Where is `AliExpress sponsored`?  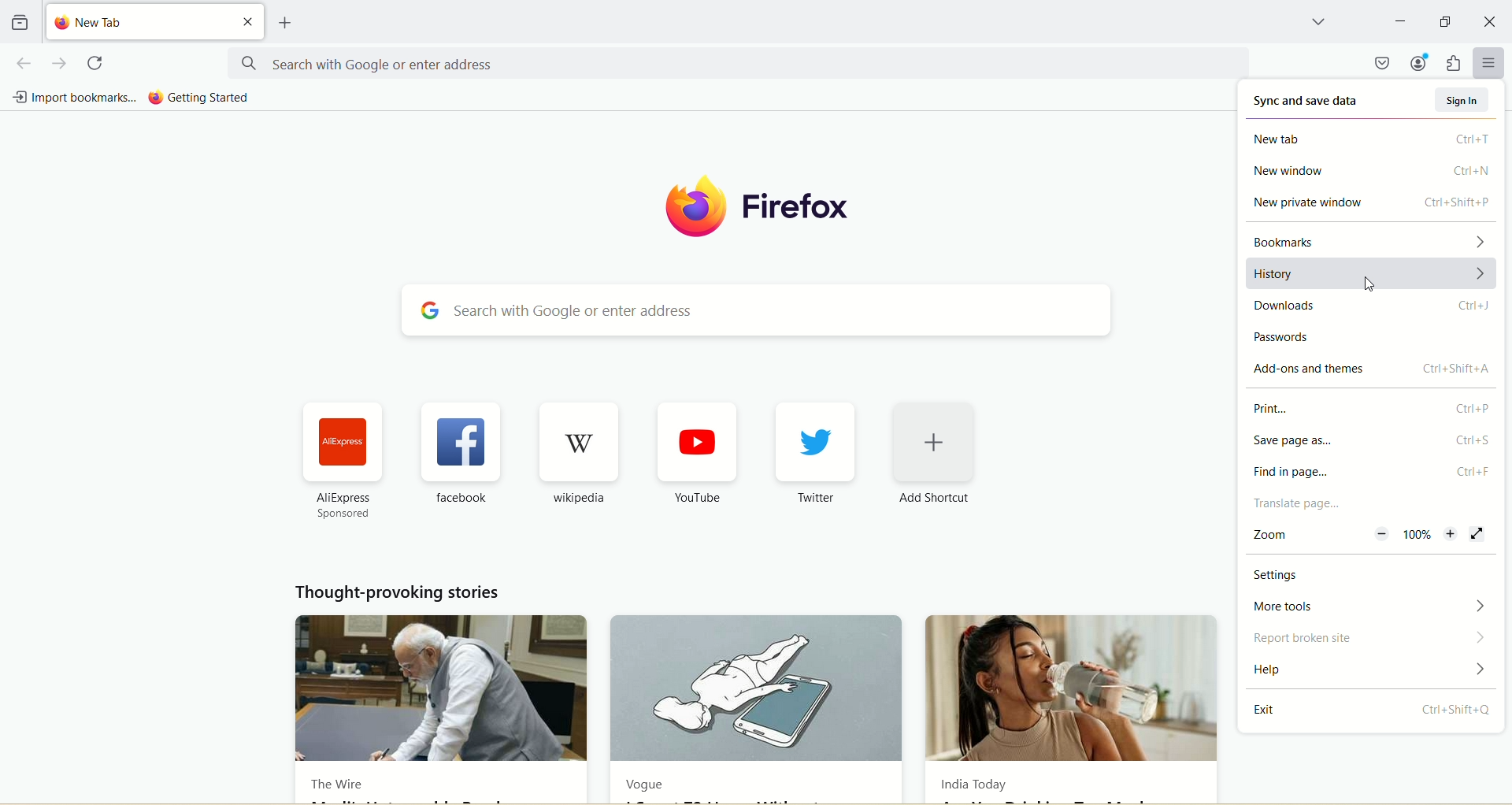 AliExpress sponsored is located at coordinates (346, 505).